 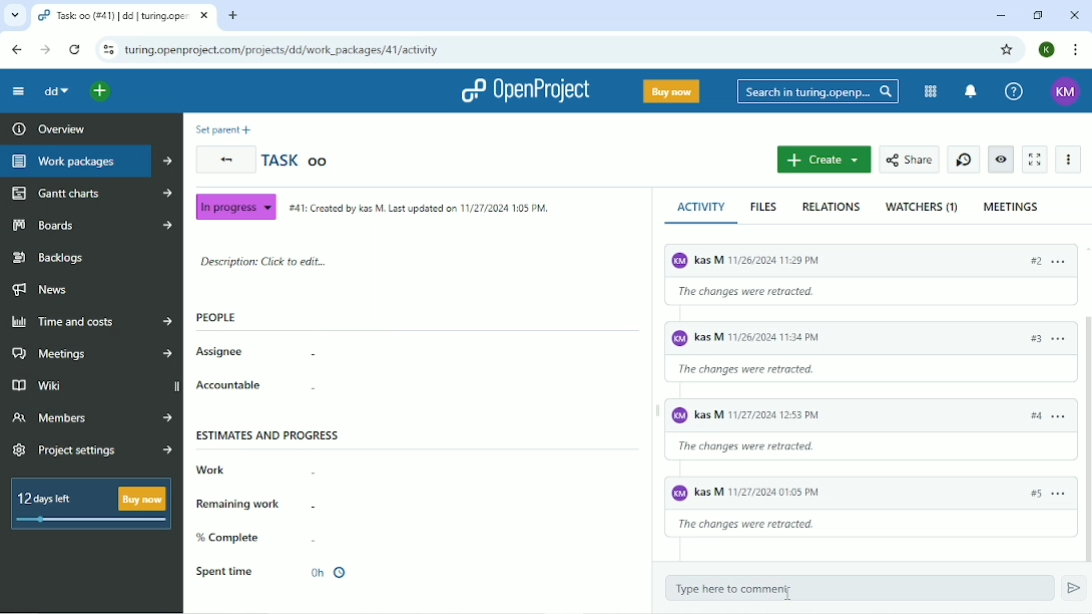 What do you see at coordinates (1047, 49) in the screenshot?
I see `K` at bounding box center [1047, 49].